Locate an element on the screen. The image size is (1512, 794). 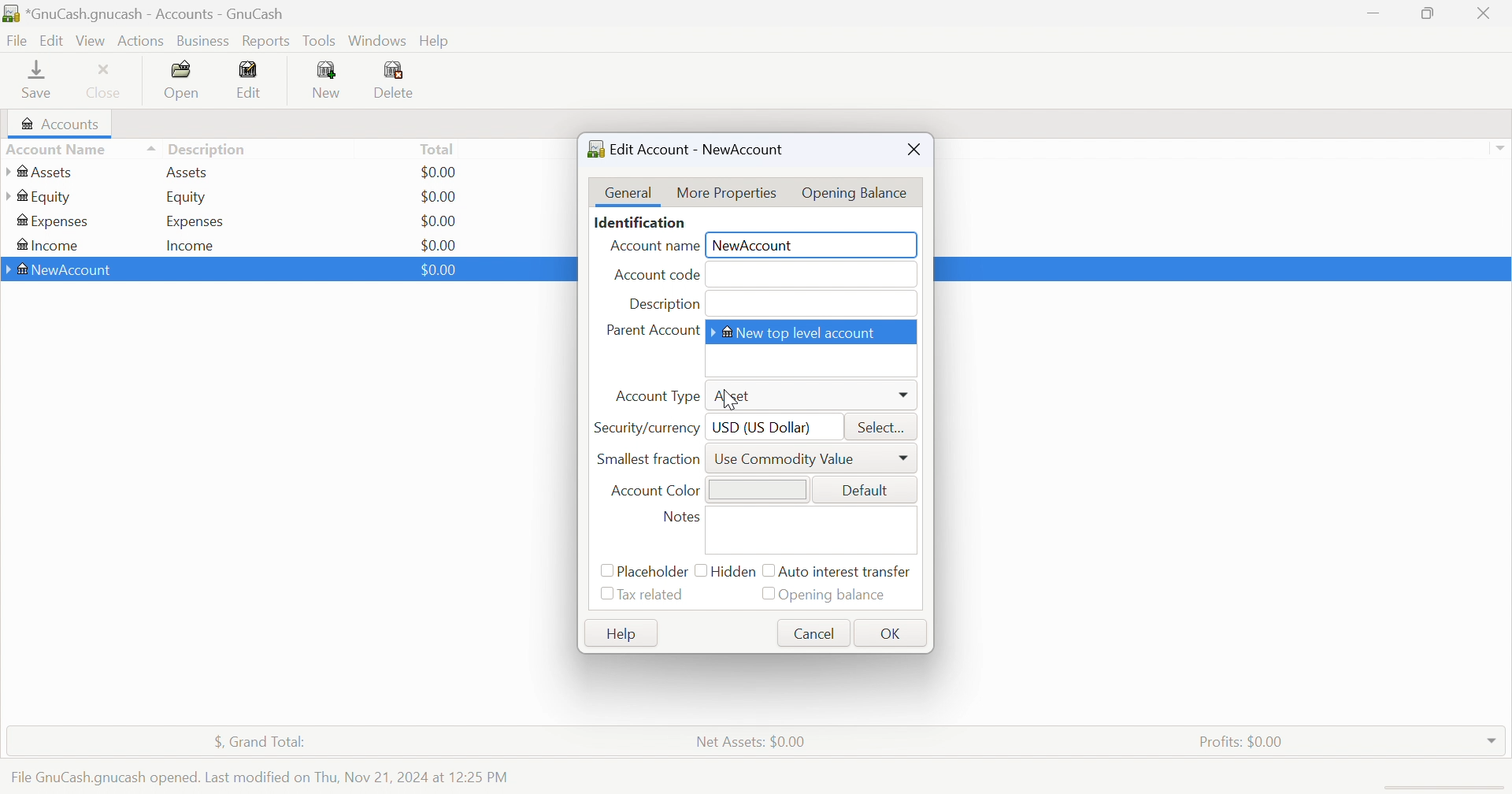
cursor is located at coordinates (732, 400).